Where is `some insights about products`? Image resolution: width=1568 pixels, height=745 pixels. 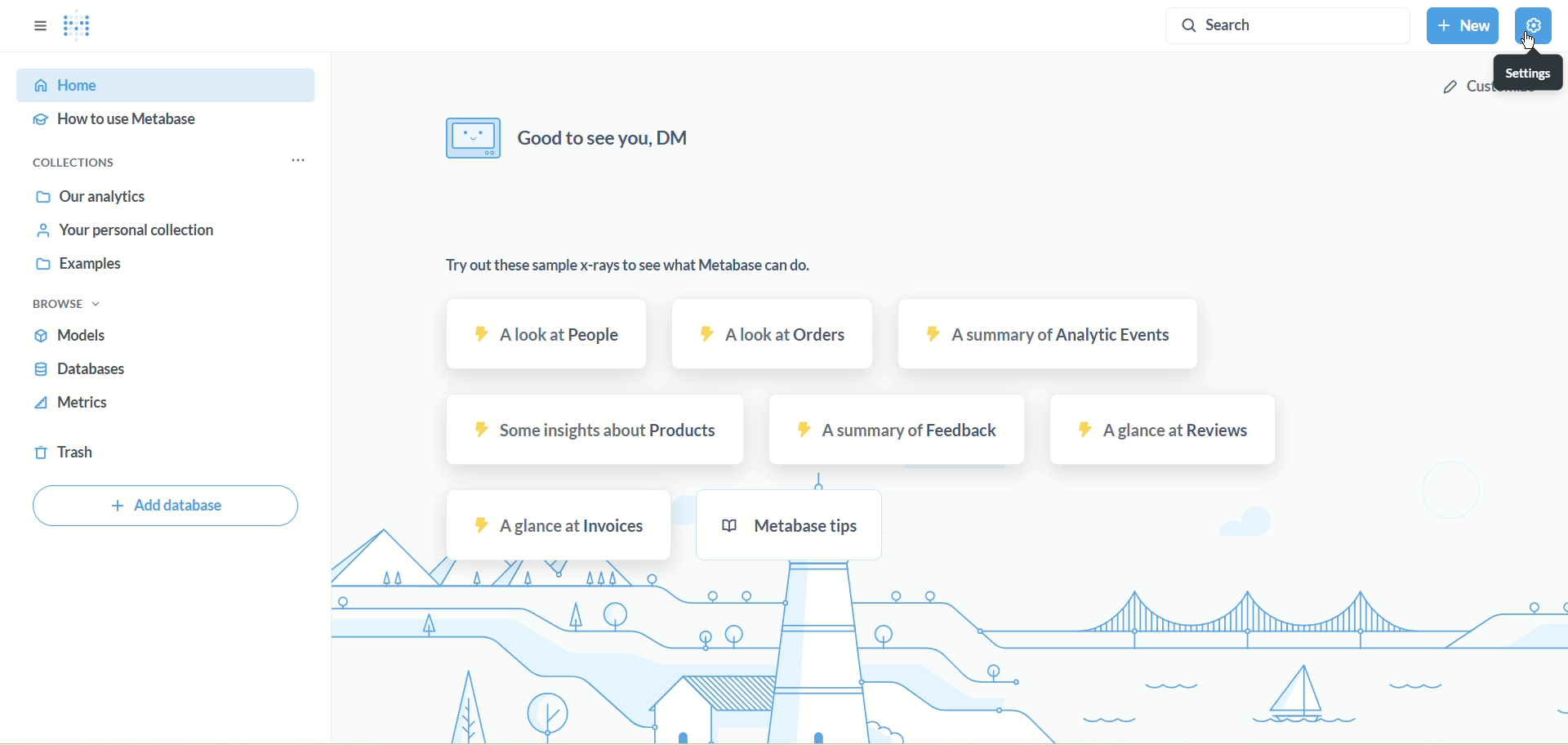 some insights about products is located at coordinates (596, 433).